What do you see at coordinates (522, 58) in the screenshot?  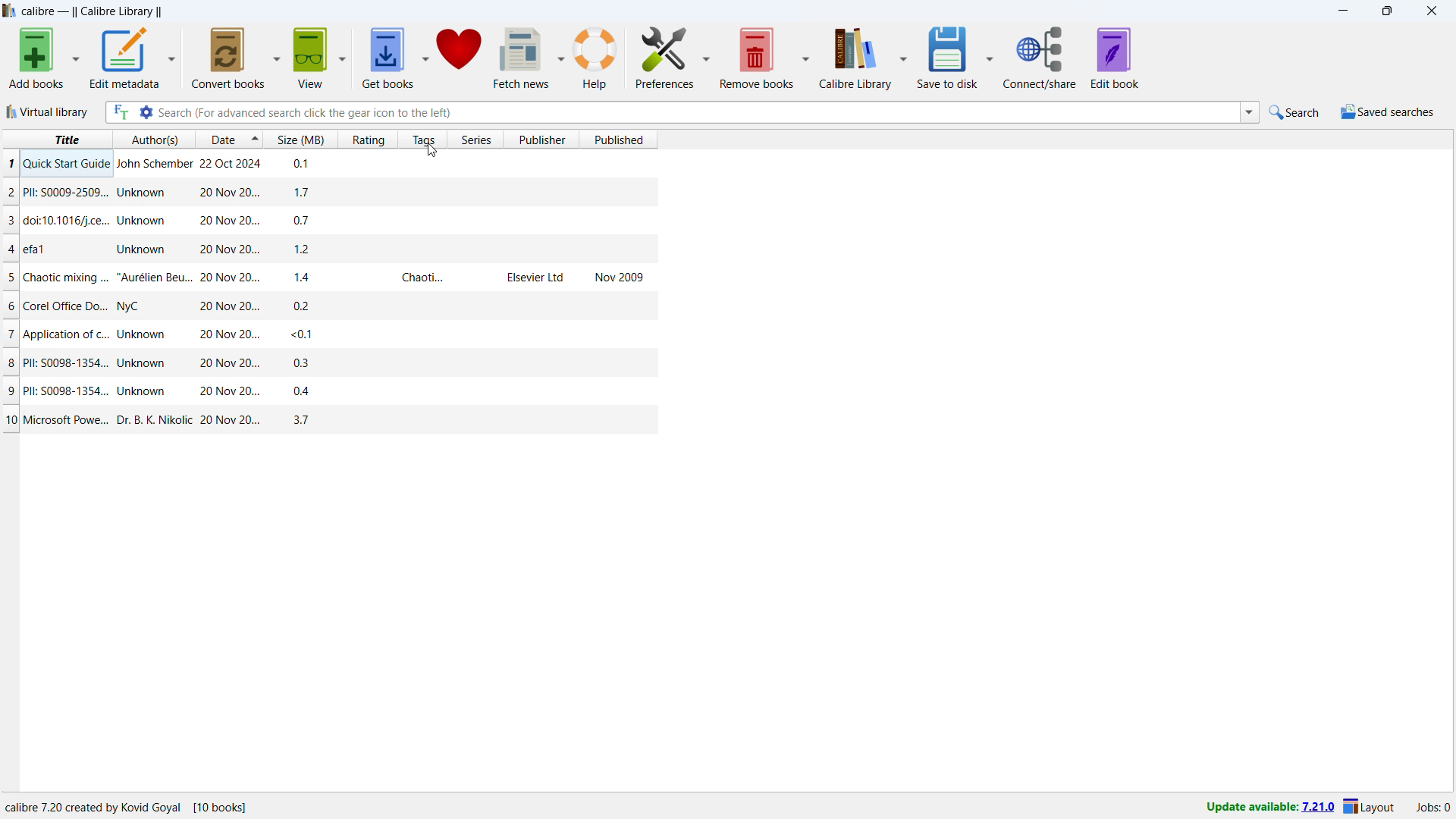 I see `fetch news` at bounding box center [522, 58].